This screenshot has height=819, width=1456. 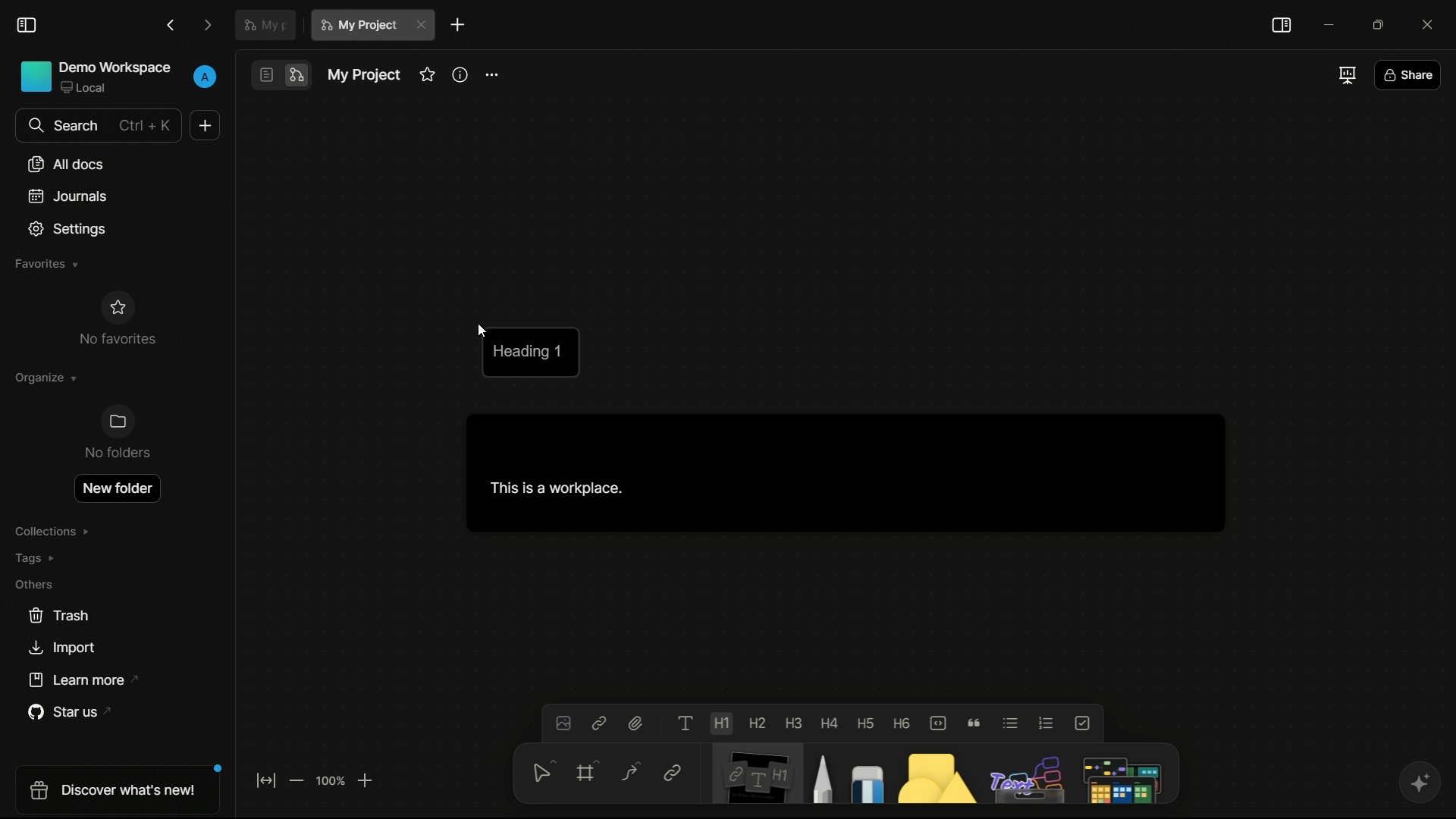 I want to click on new document, so click(x=458, y=24).